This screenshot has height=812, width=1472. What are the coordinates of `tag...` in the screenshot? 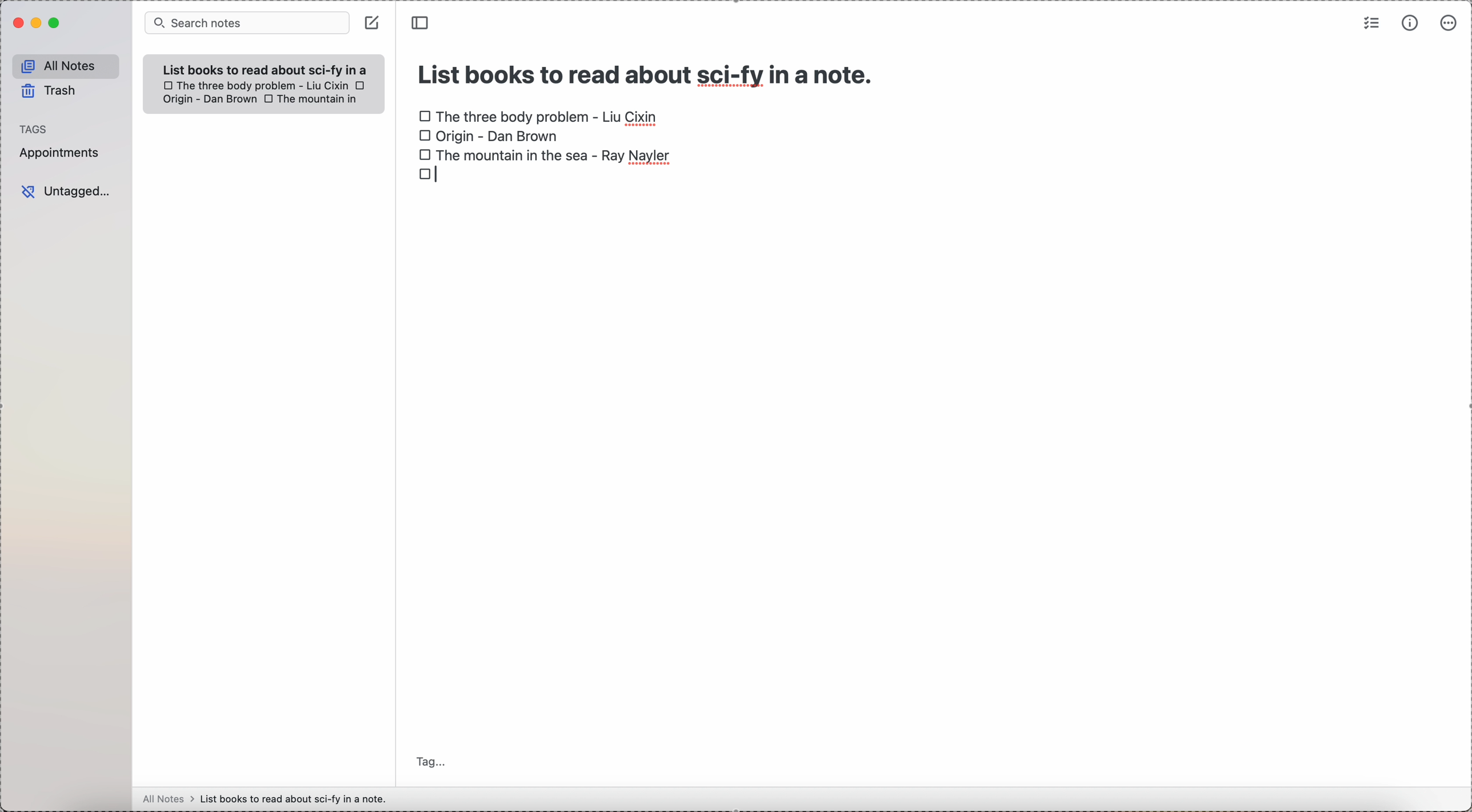 It's located at (433, 763).